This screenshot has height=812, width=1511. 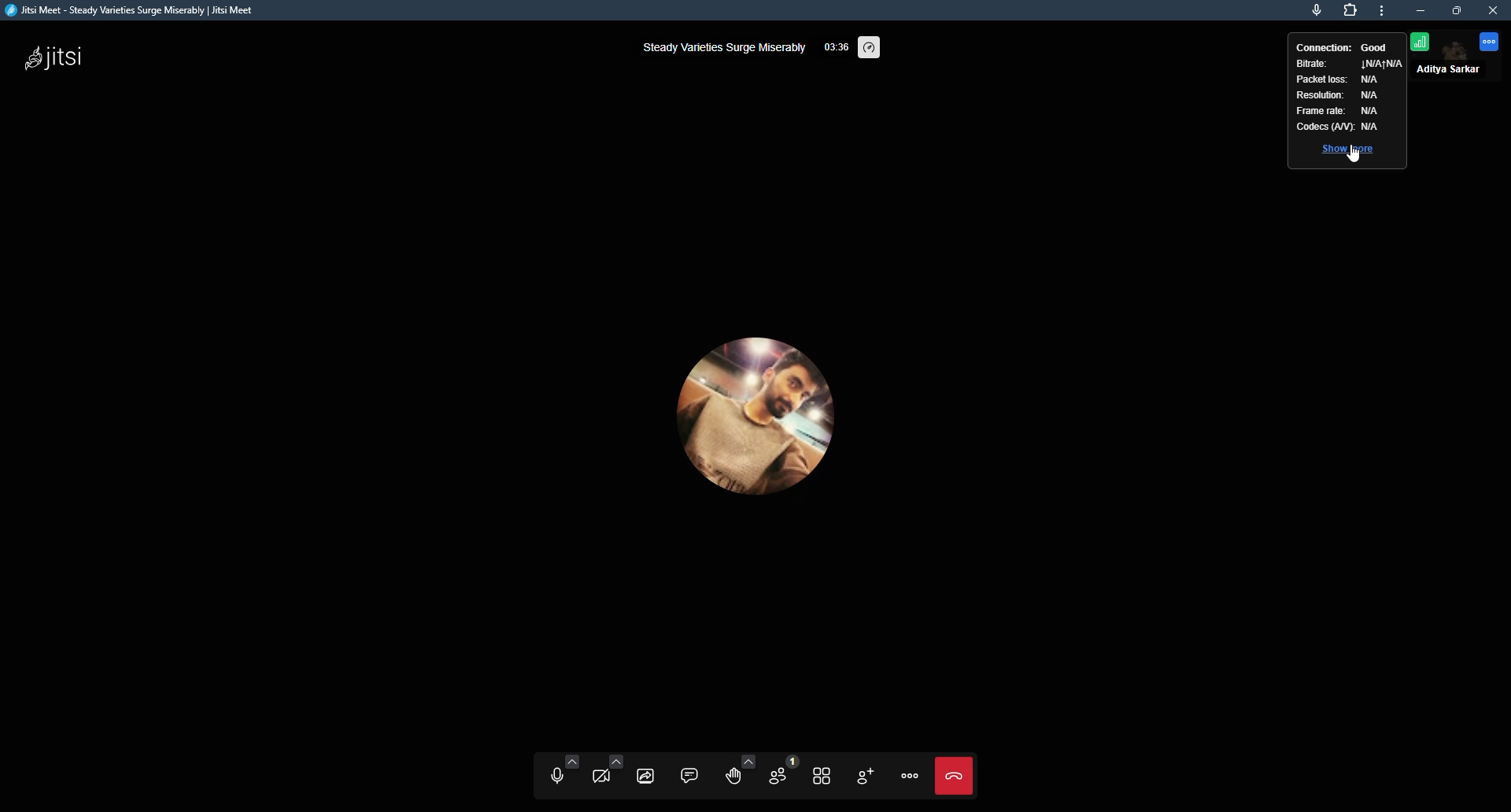 What do you see at coordinates (1420, 42) in the screenshot?
I see `connection` at bounding box center [1420, 42].